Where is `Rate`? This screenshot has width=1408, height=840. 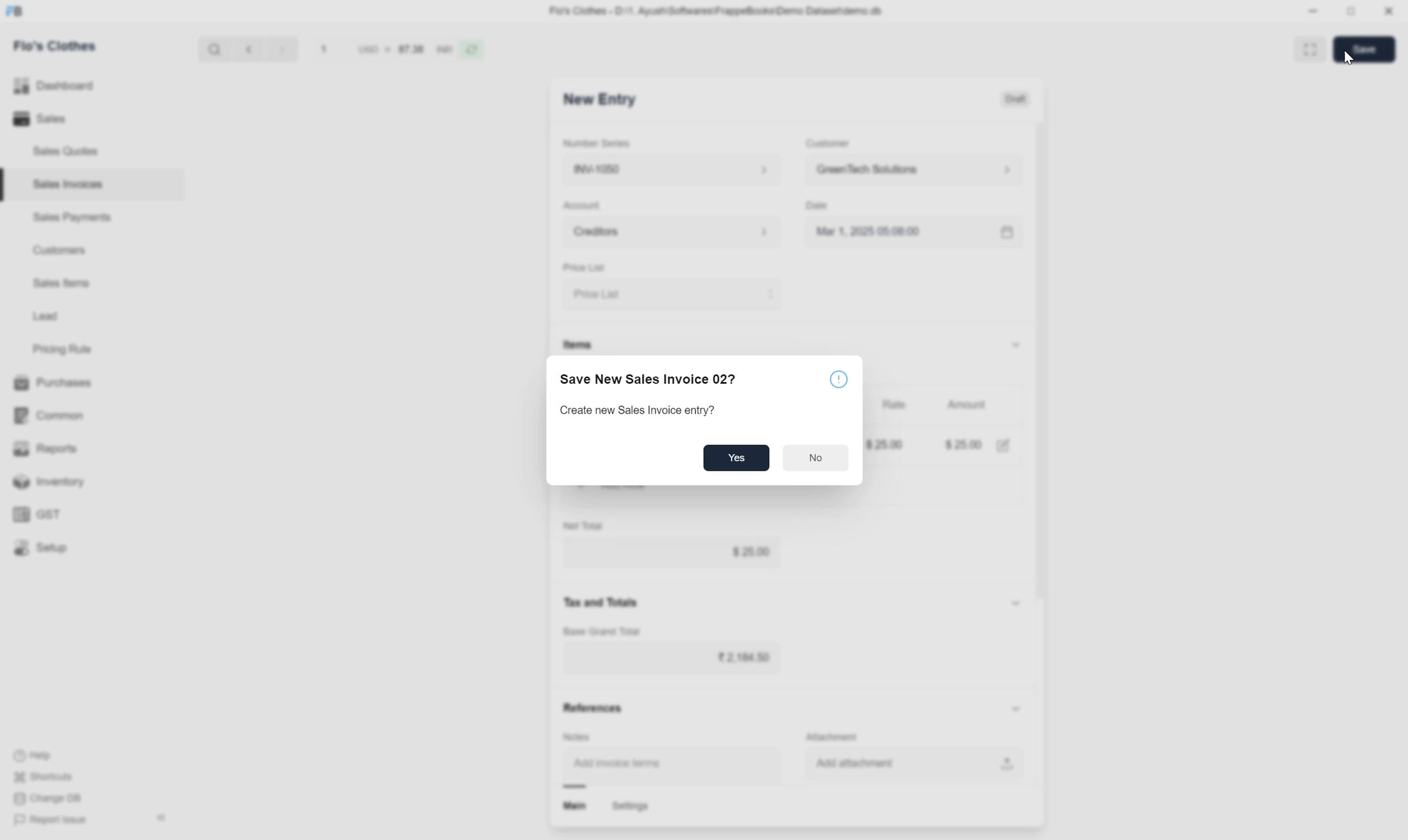
Rate is located at coordinates (896, 406).